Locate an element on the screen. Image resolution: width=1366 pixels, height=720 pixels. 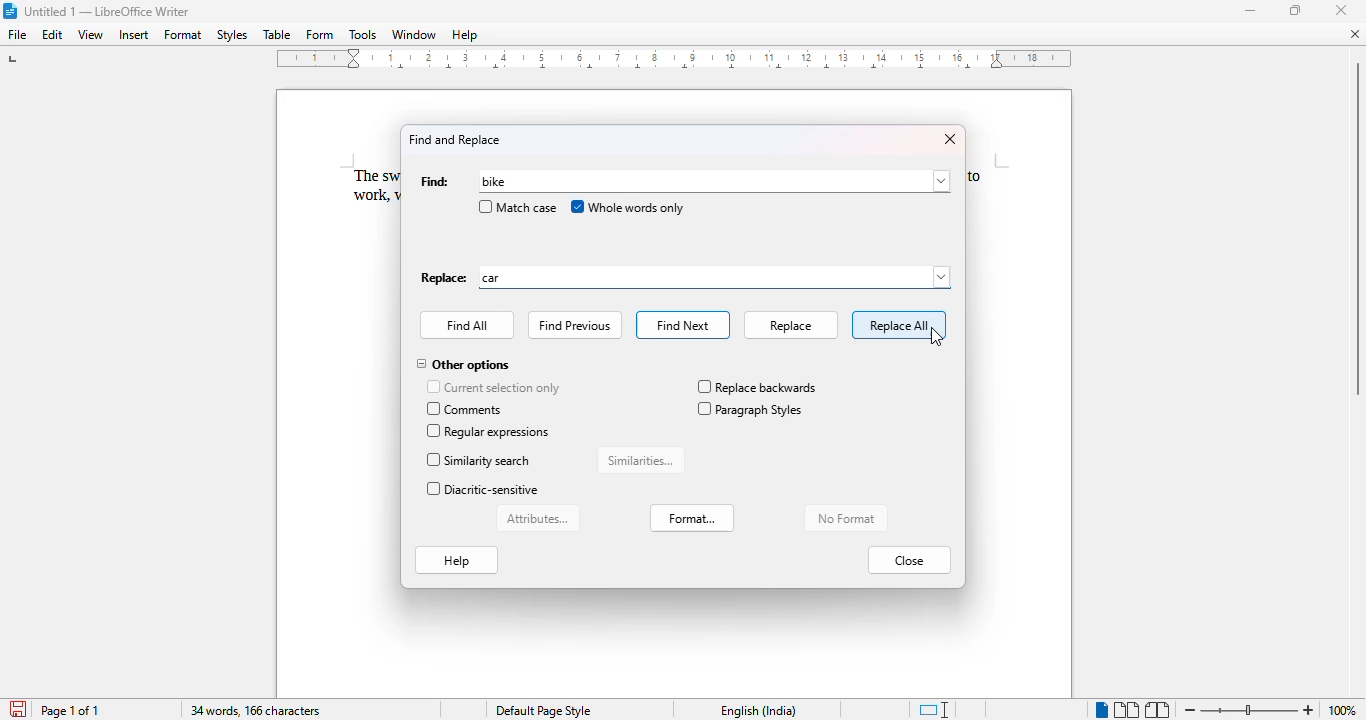
tap stop is located at coordinates (14, 62).